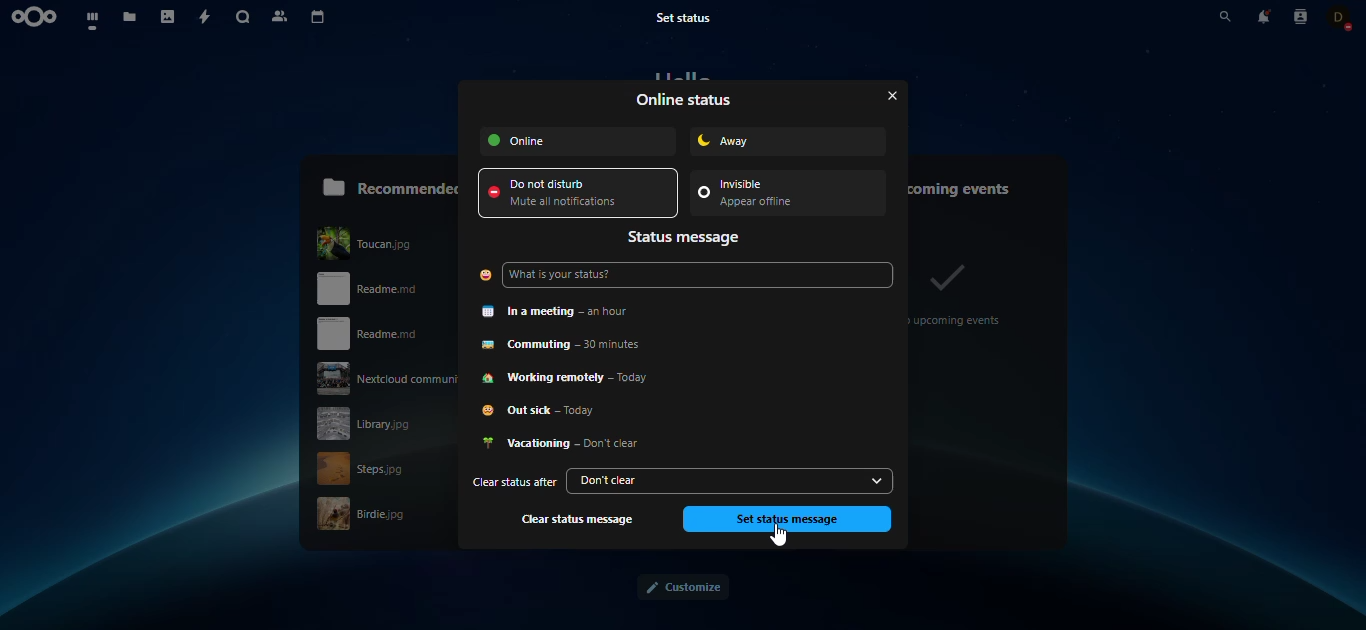  Describe the element at coordinates (575, 344) in the screenshot. I see `commuting` at that location.